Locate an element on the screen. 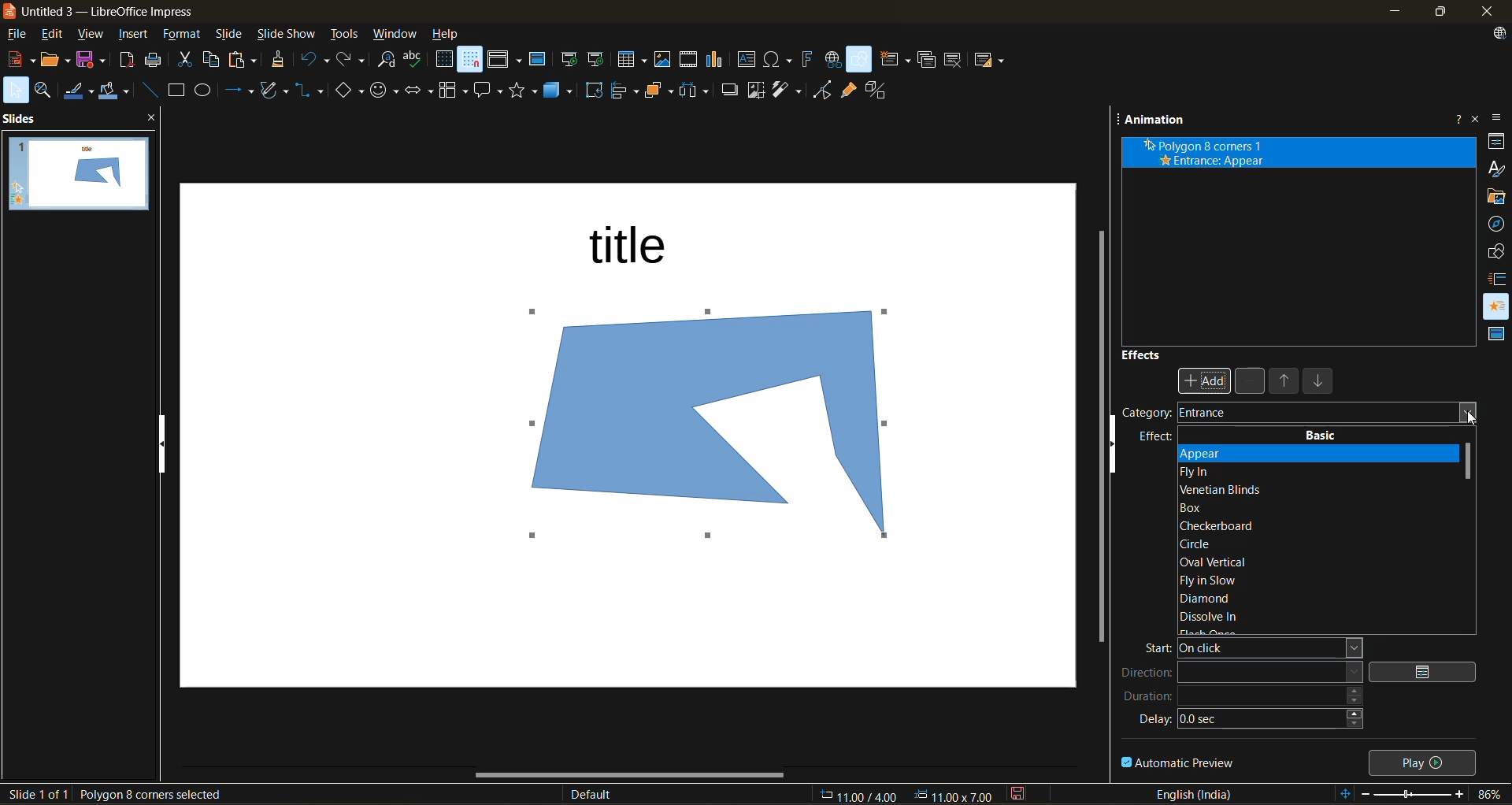 The image size is (1512, 805). fill color is located at coordinates (117, 94).